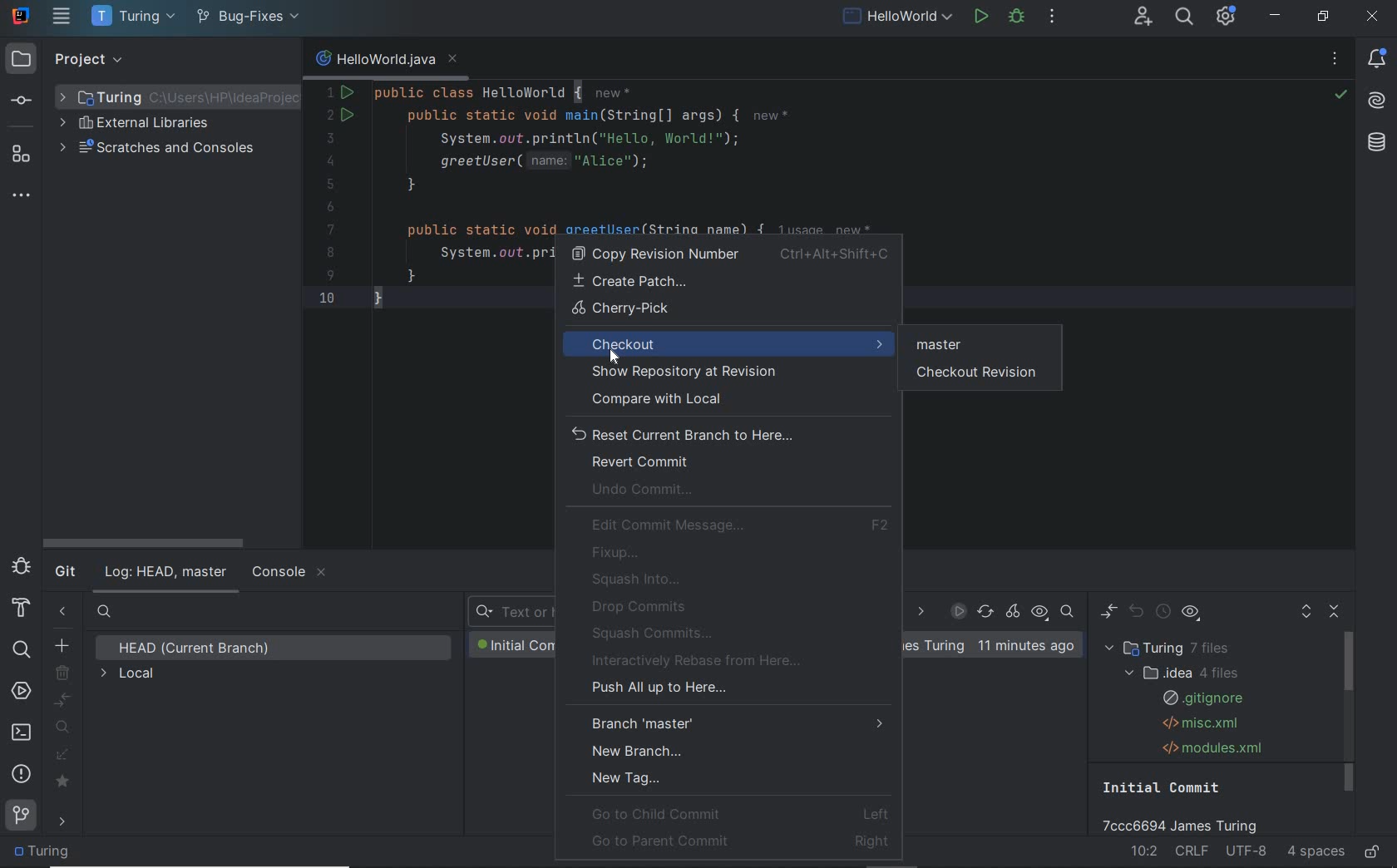 This screenshot has height=868, width=1397. I want to click on collapse, so click(227, 61).